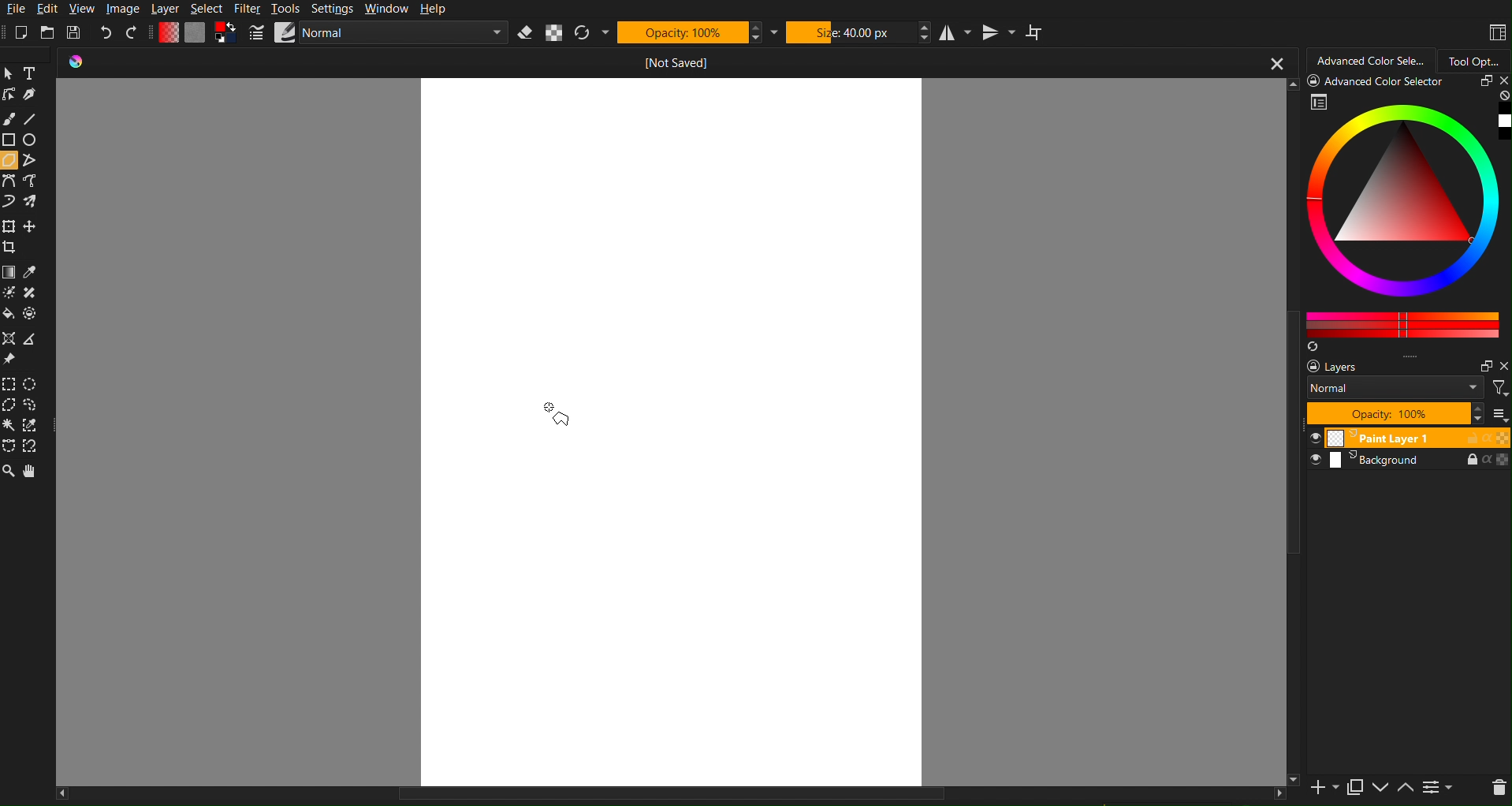 The width and height of the screenshot is (1512, 806). What do you see at coordinates (1409, 216) in the screenshot?
I see `Advanced Color Selector` at bounding box center [1409, 216].